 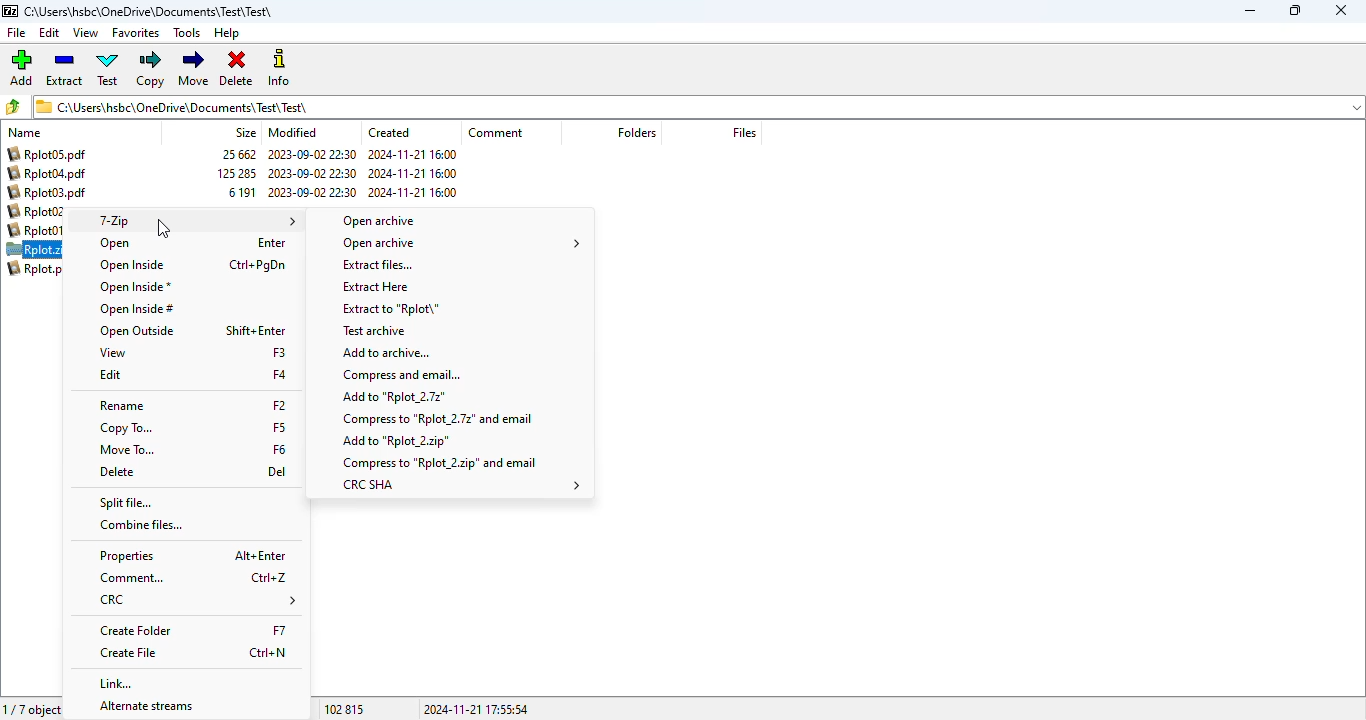 What do you see at coordinates (236, 69) in the screenshot?
I see `delete` at bounding box center [236, 69].